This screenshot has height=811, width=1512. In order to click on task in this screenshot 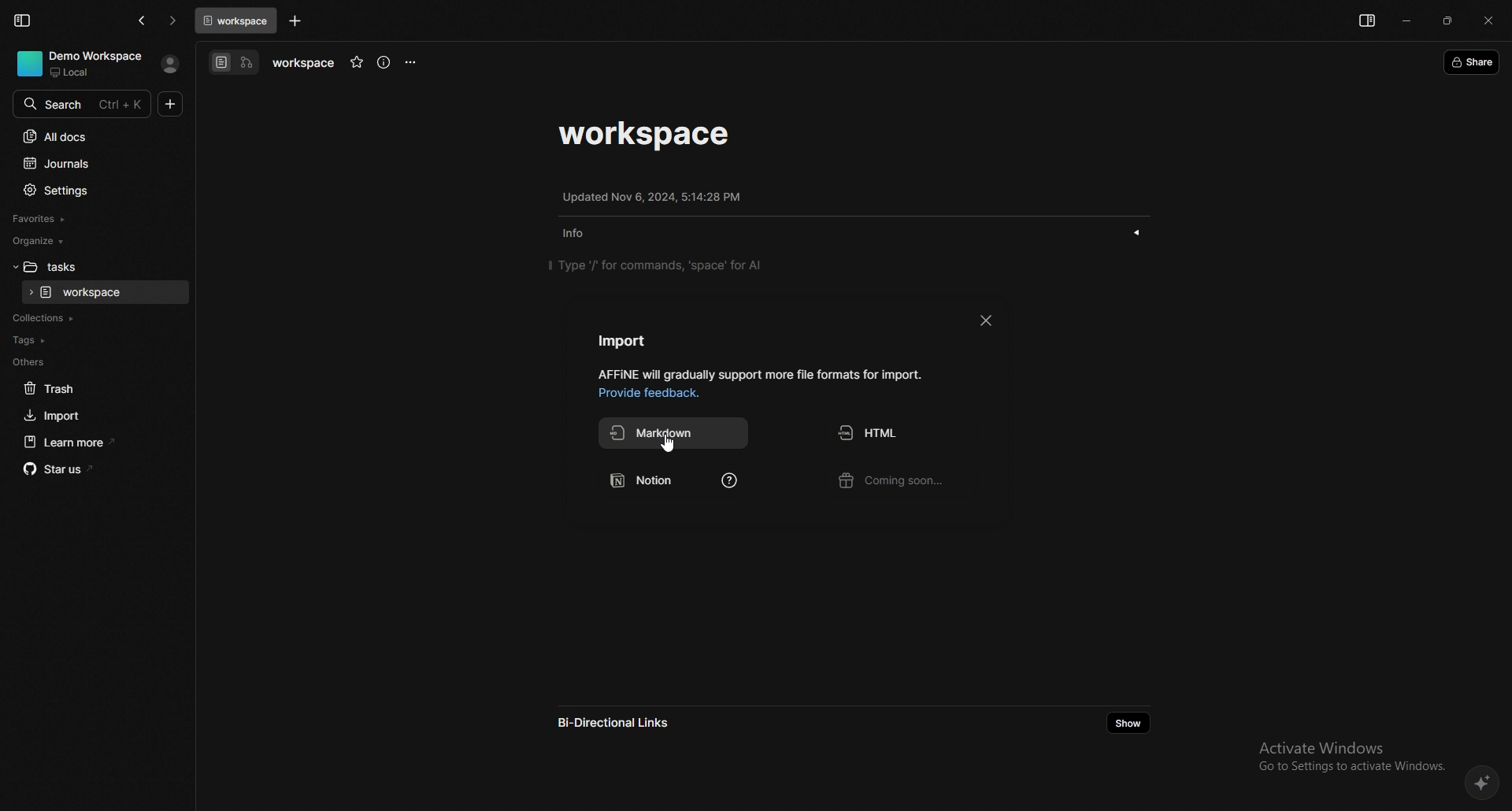, I will do `click(106, 293)`.